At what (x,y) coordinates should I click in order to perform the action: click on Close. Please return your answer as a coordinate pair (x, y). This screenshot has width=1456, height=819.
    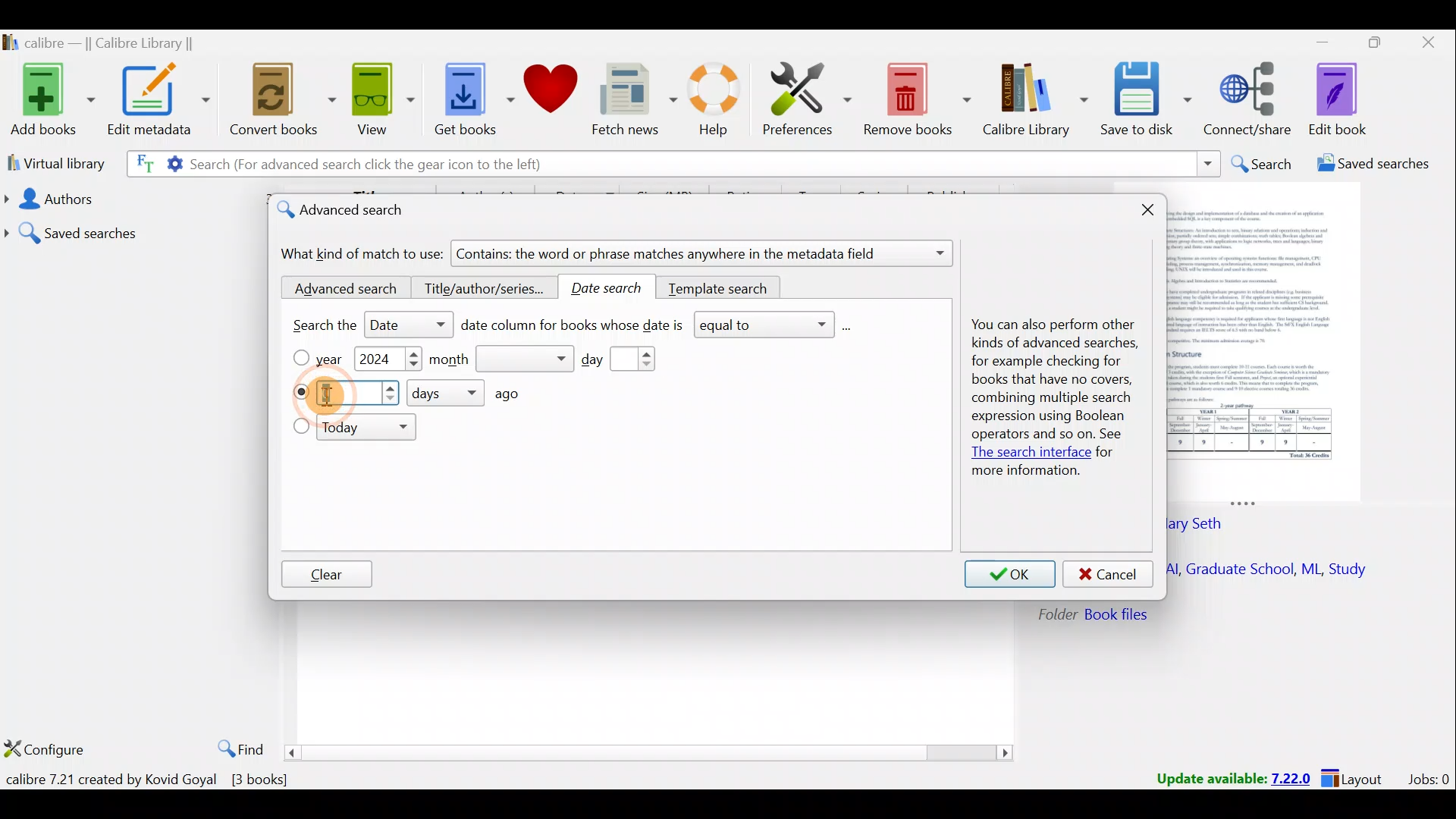
    Looking at the image, I should click on (1151, 212).